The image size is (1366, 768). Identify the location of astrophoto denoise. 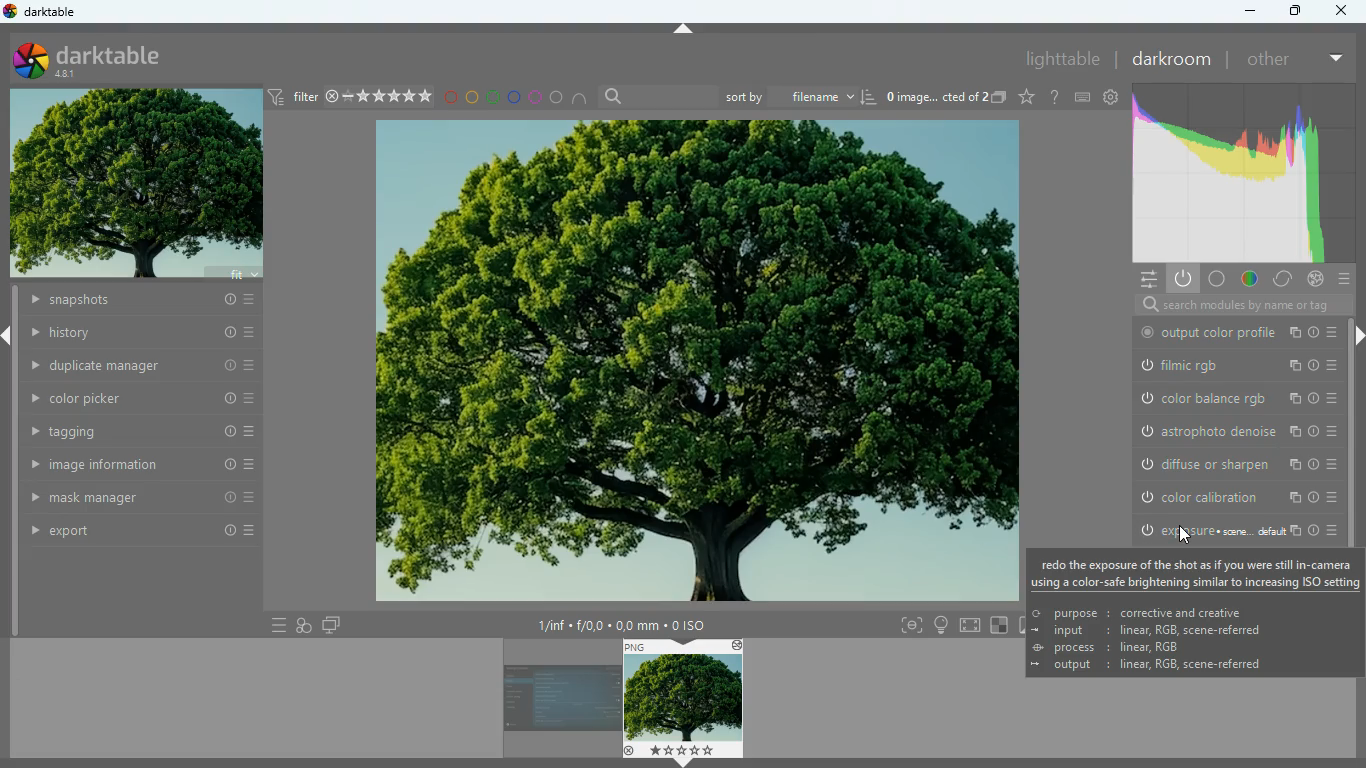
(1233, 431).